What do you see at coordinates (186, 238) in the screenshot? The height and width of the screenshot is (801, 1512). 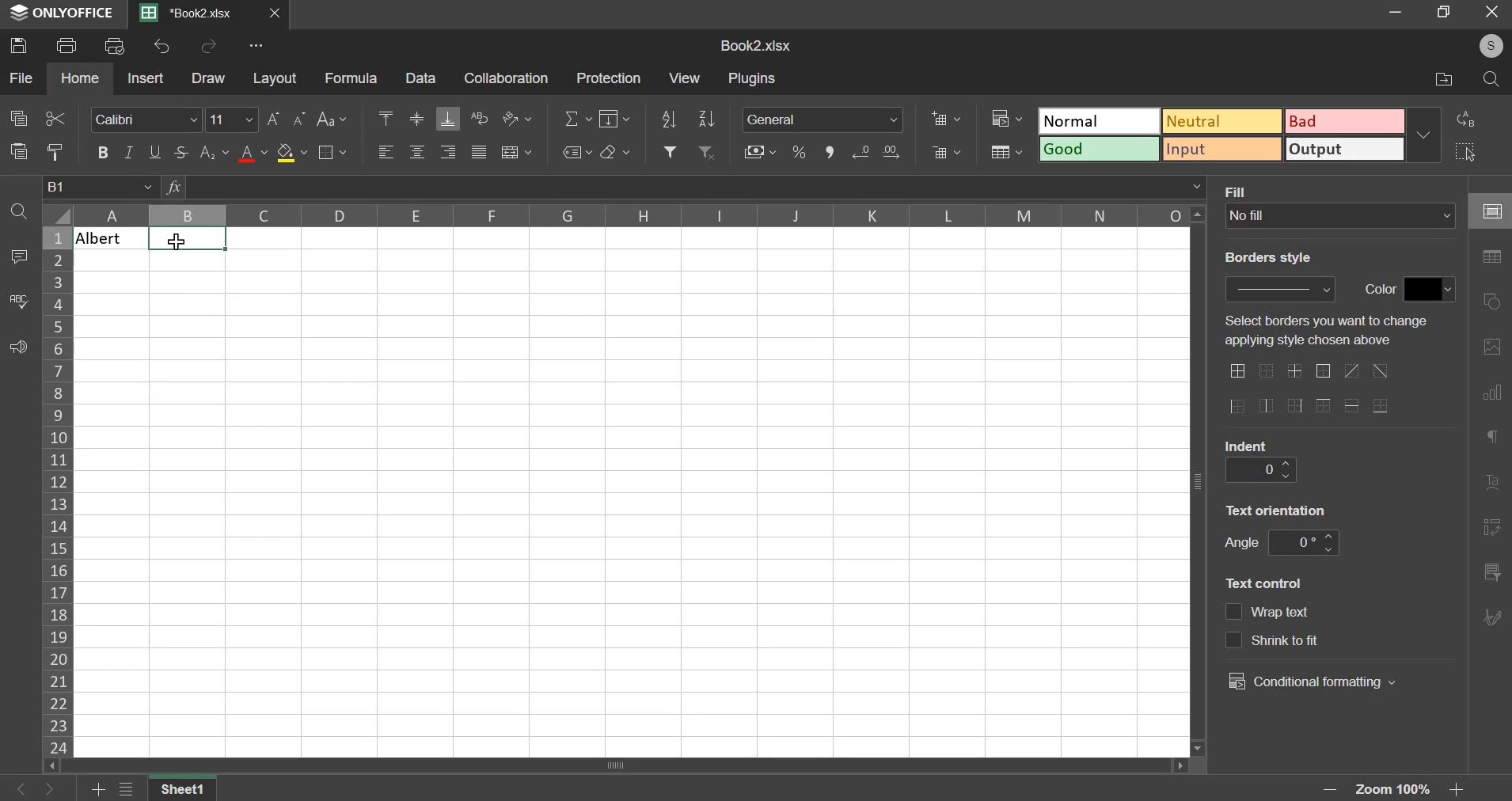 I see `selected cell` at bounding box center [186, 238].